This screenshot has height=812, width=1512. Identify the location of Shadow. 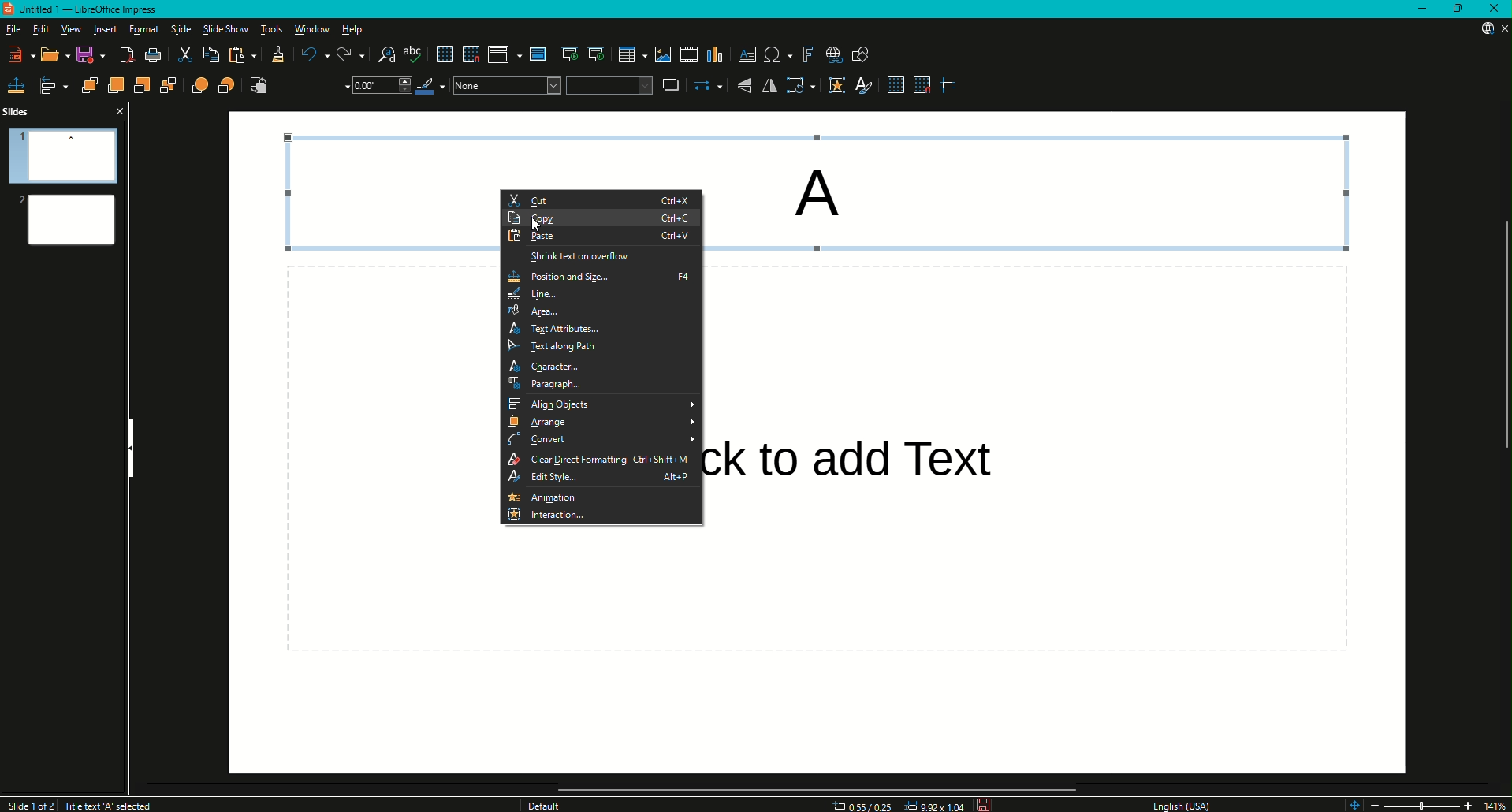
(670, 85).